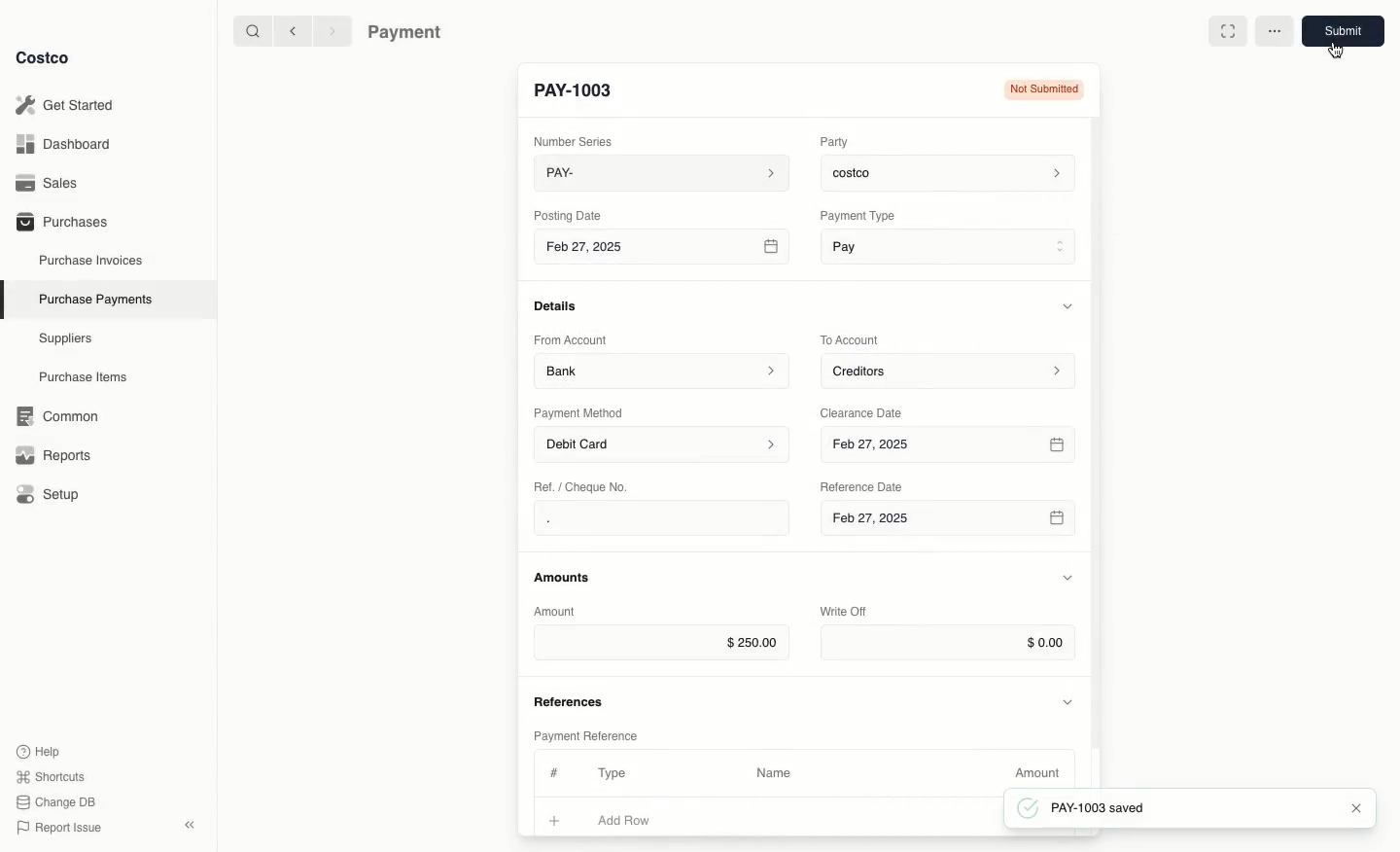 This screenshot has height=852, width=1400. I want to click on Feb 27, 2025, so click(951, 445).